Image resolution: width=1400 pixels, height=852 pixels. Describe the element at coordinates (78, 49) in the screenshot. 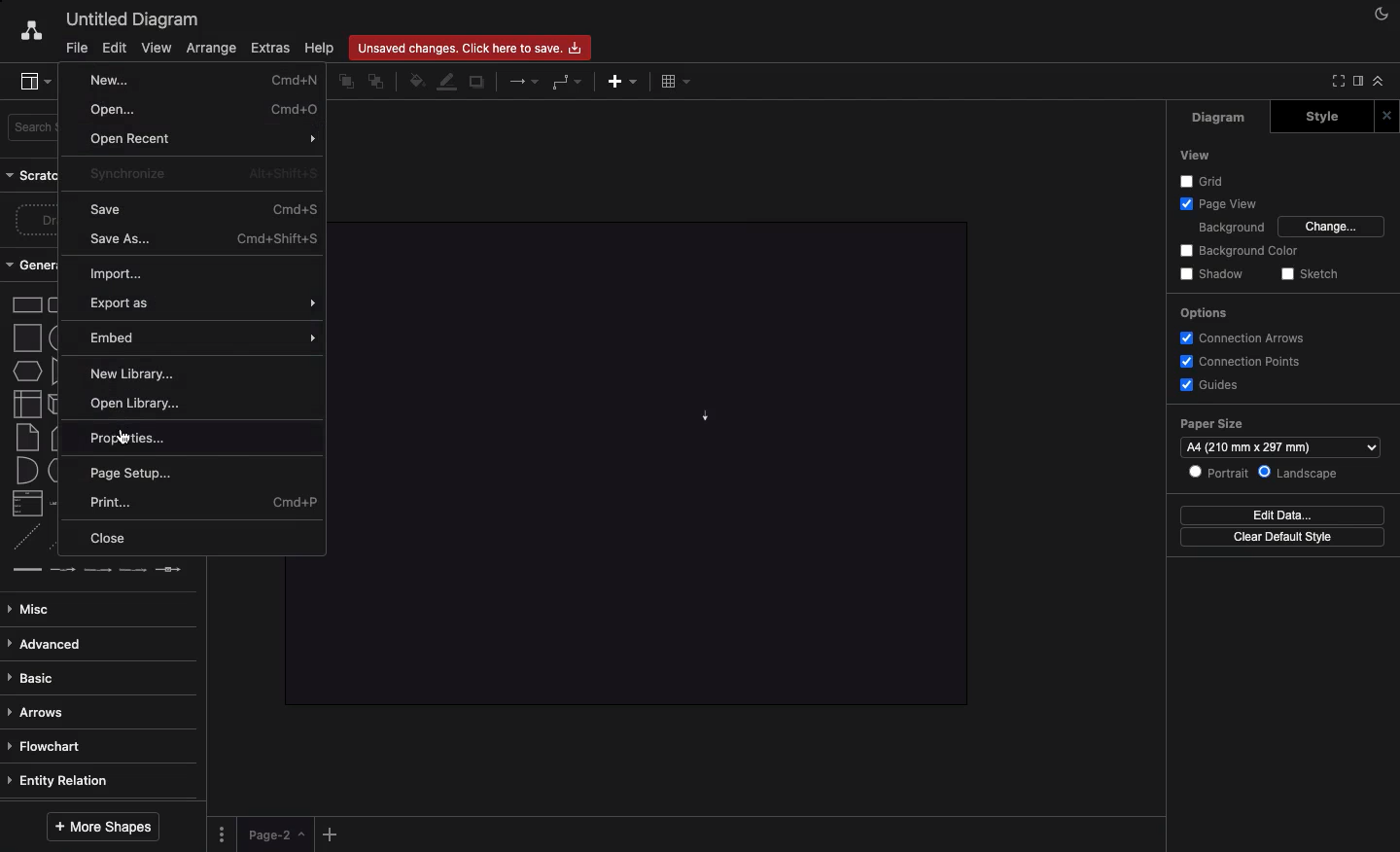

I see `File` at that location.